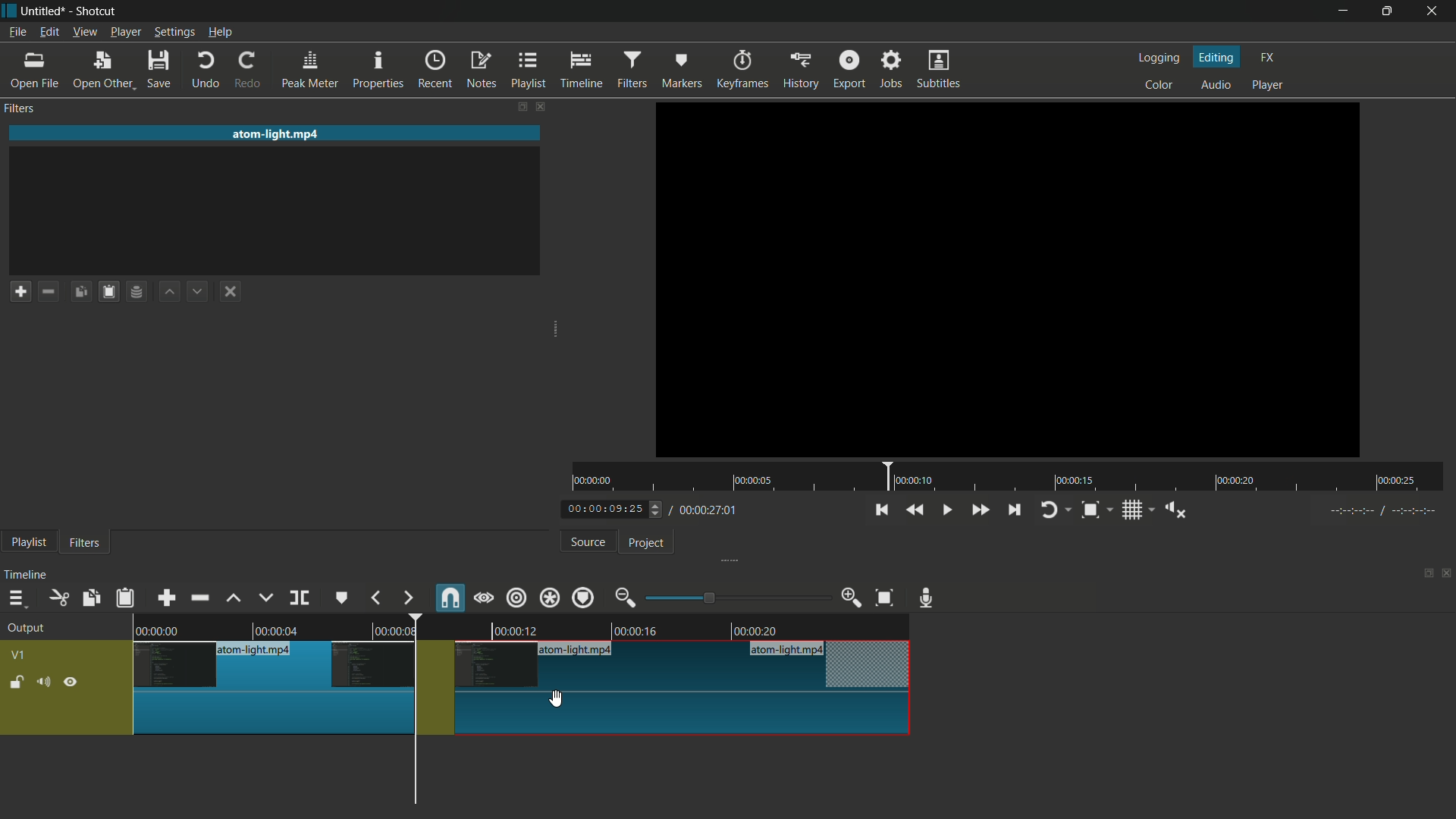 Image resolution: width=1456 pixels, height=819 pixels. I want to click on player menu, so click(125, 32).